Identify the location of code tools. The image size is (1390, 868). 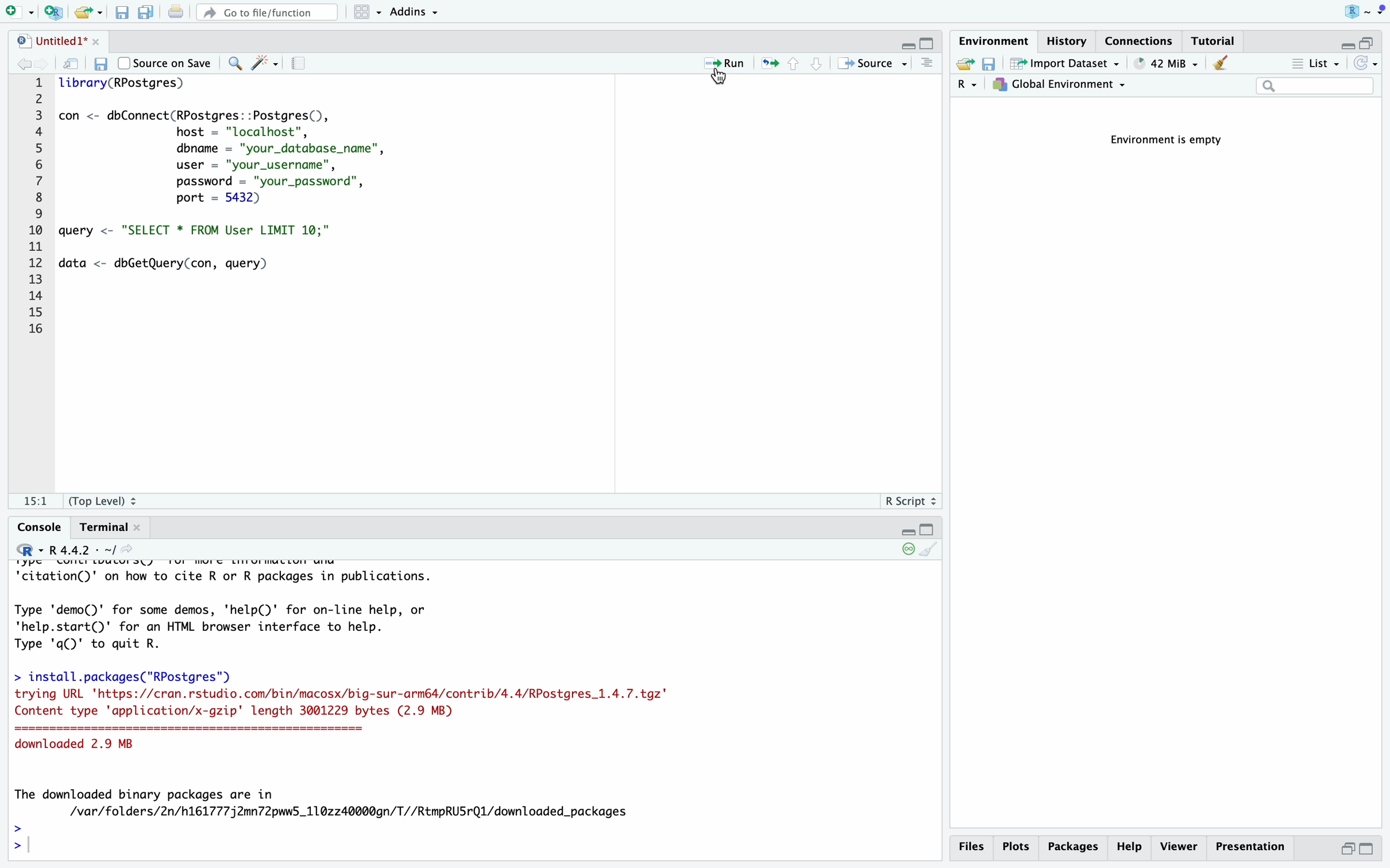
(266, 62).